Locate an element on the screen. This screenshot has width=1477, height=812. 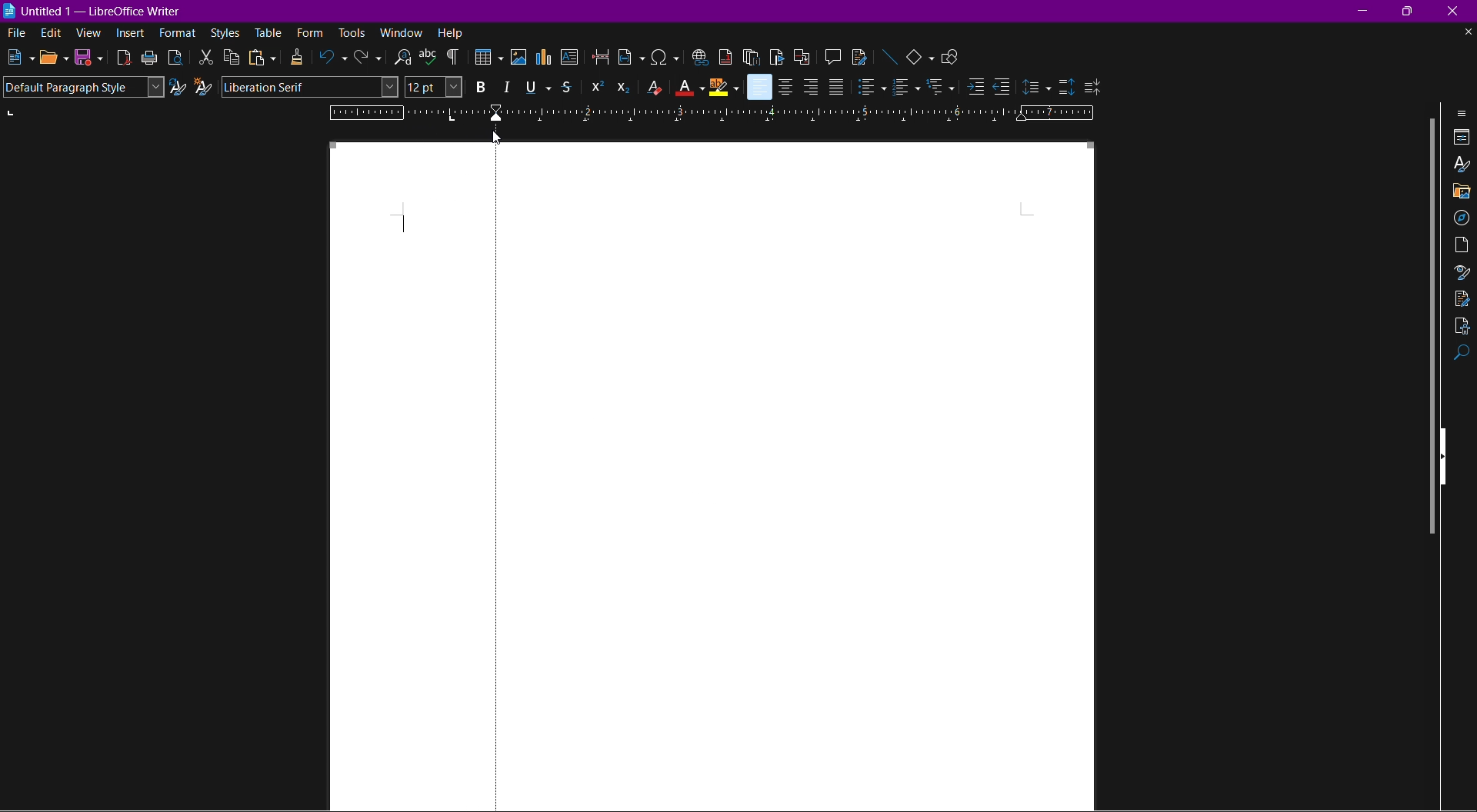
Cut is located at coordinates (205, 57).